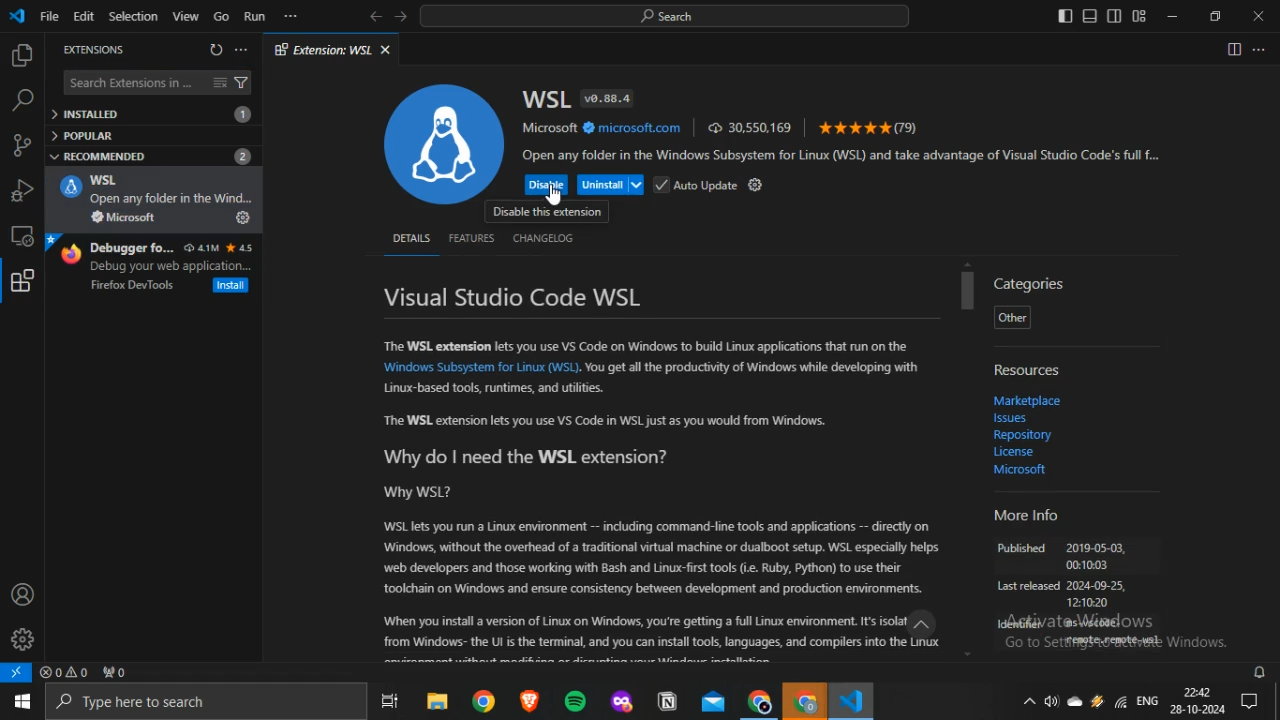  What do you see at coordinates (438, 700) in the screenshot?
I see `file explorer` at bounding box center [438, 700].